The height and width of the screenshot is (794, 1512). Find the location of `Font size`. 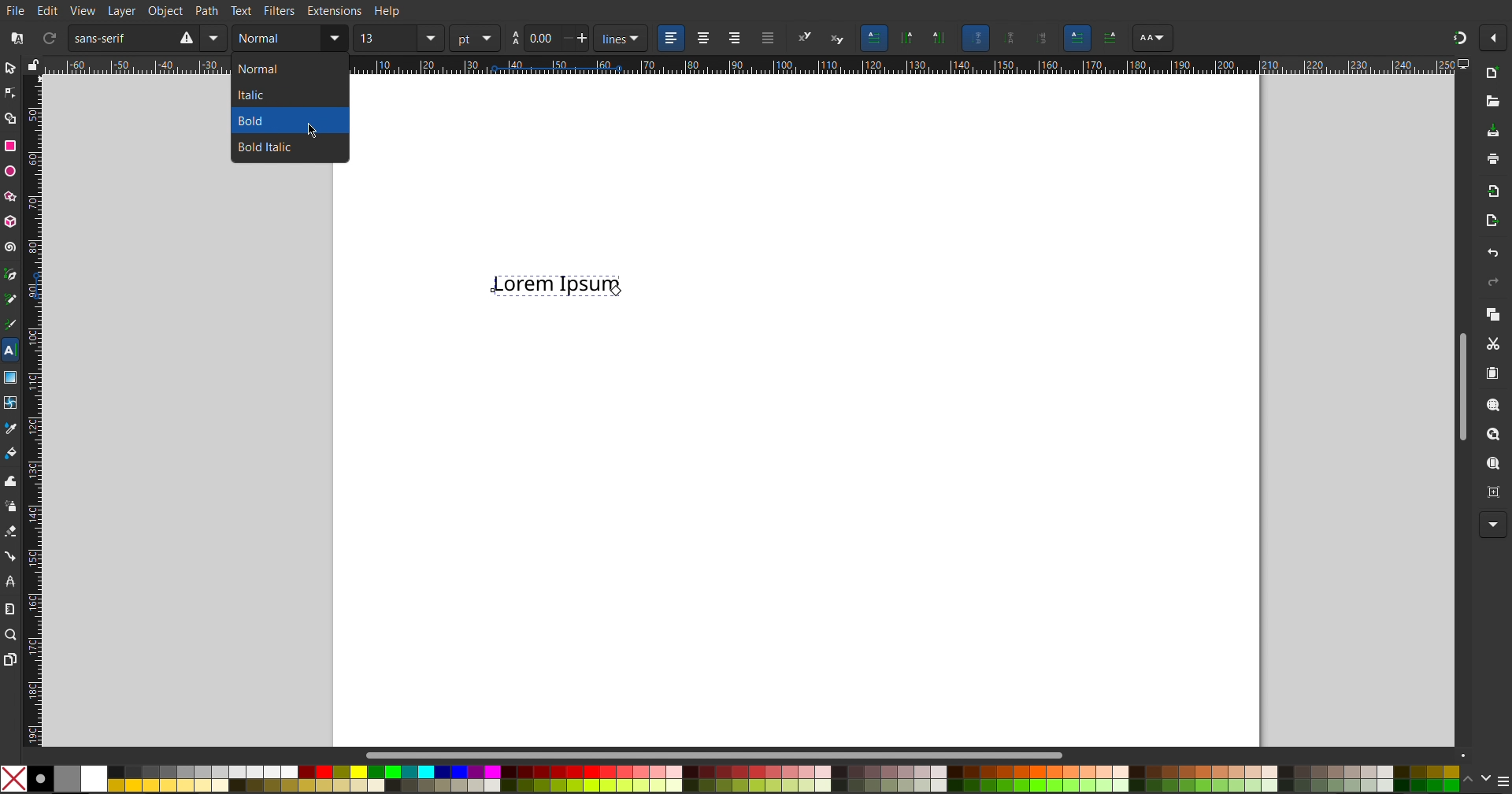

Font size is located at coordinates (398, 39).